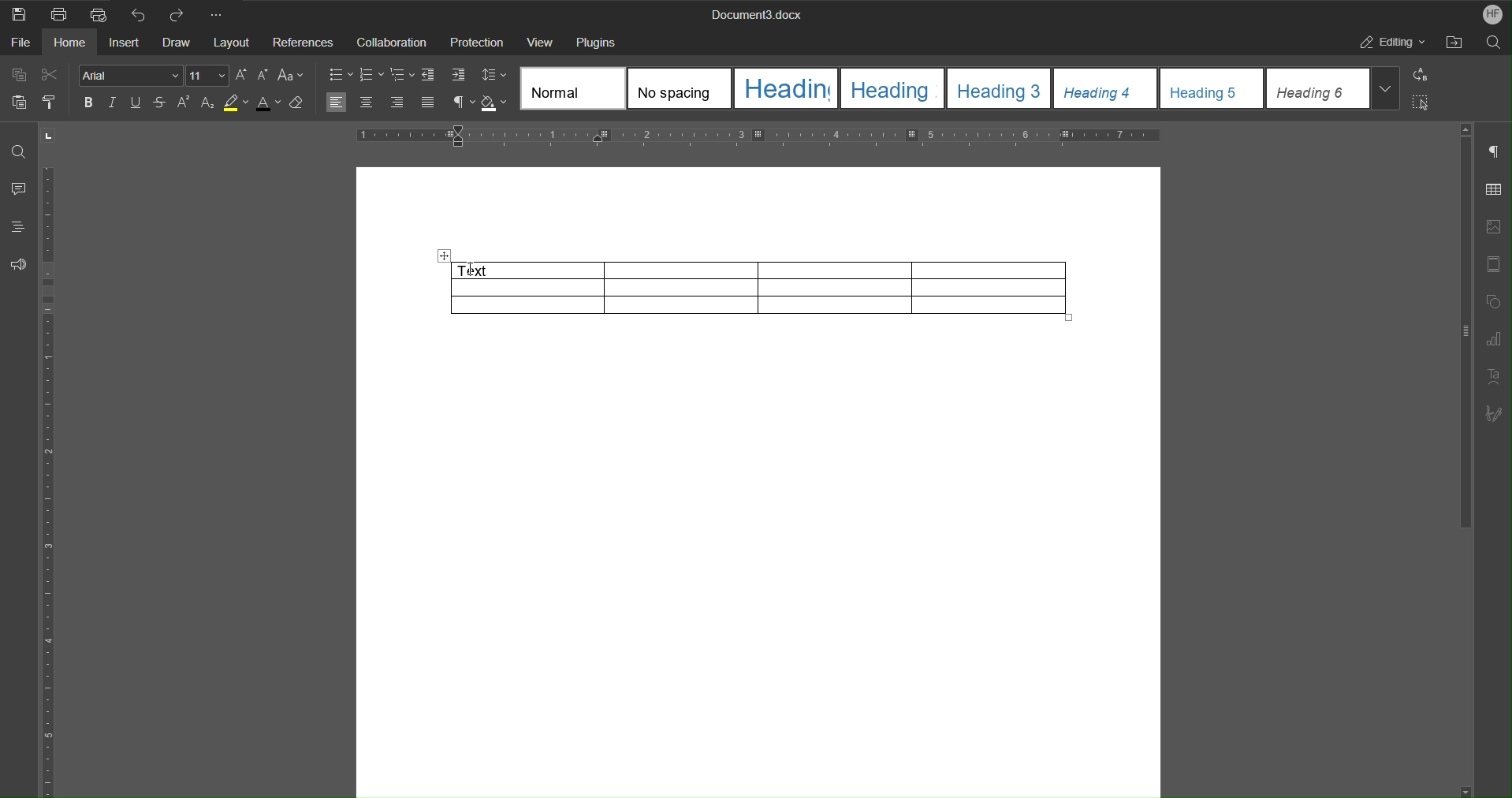 This screenshot has width=1512, height=798. Describe the element at coordinates (209, 76) in the screenshot. I see `Font size` at that location.